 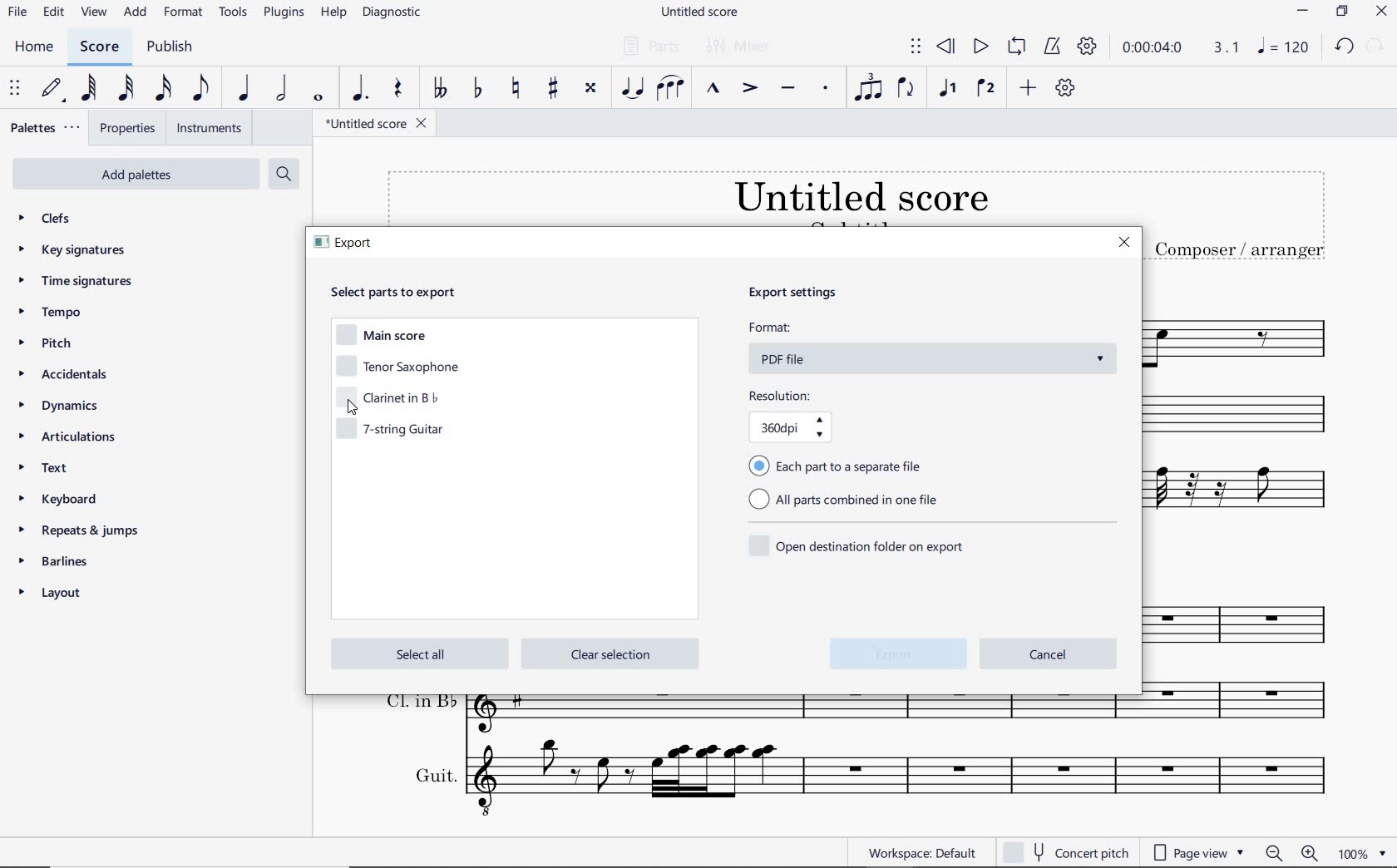 What do you see at coordinates (440, 89) in the screenshot?
I see `TOGGLE DOUBLE-FLAT` at bounding box center [440, 89].